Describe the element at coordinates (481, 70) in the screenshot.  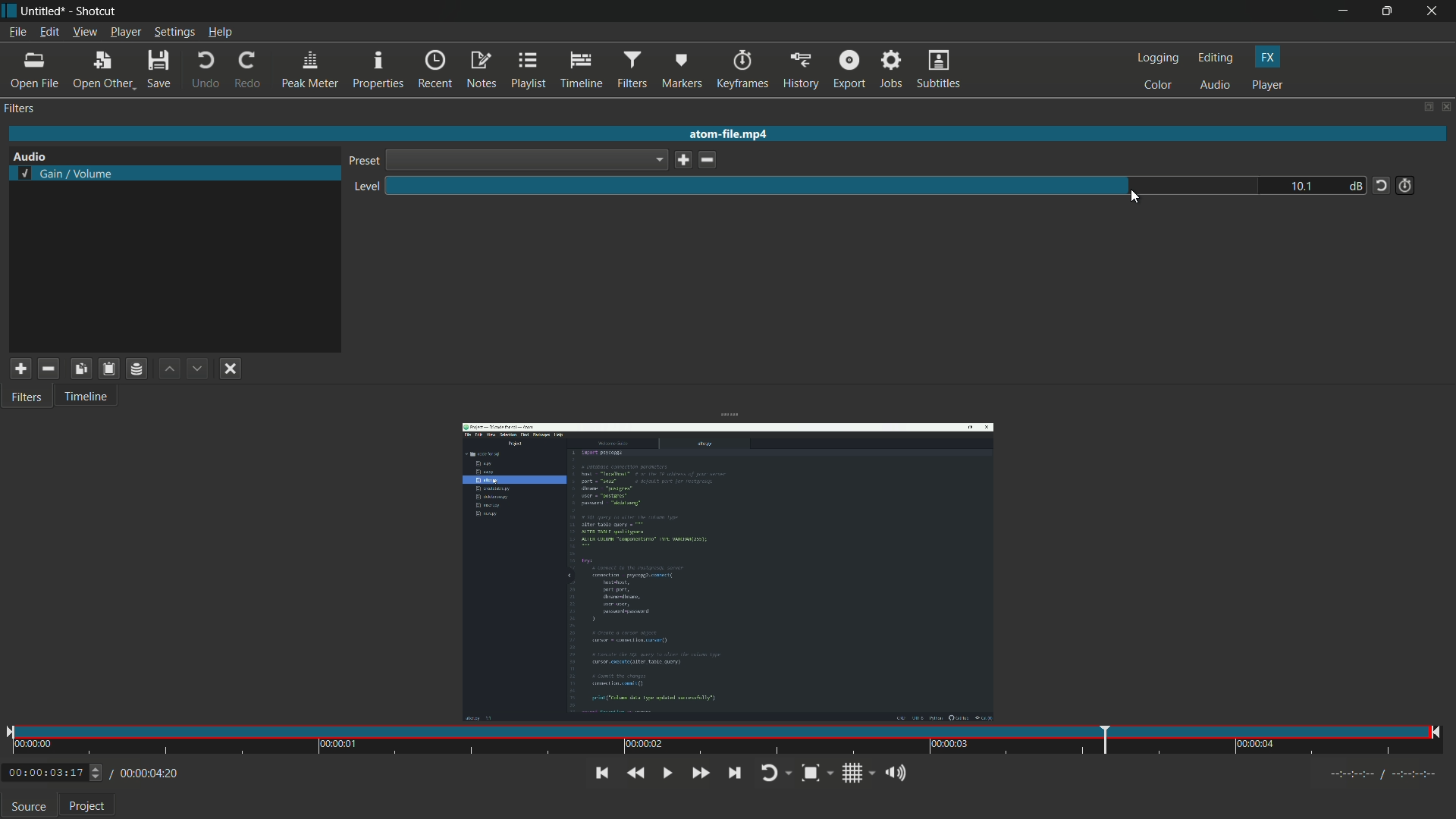
I see `notes` at that location.